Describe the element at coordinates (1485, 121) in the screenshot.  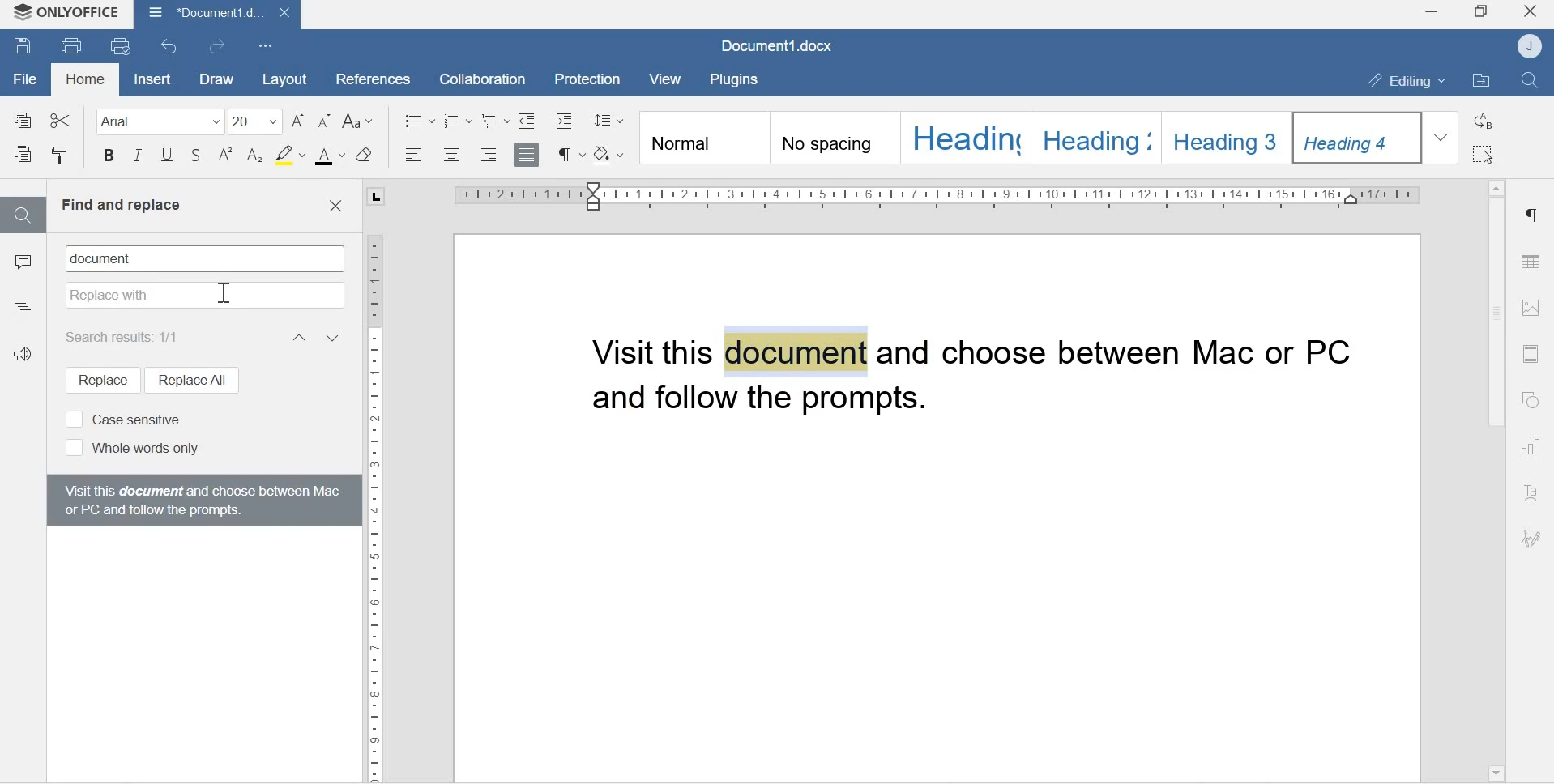
I see `Replace` at that location.